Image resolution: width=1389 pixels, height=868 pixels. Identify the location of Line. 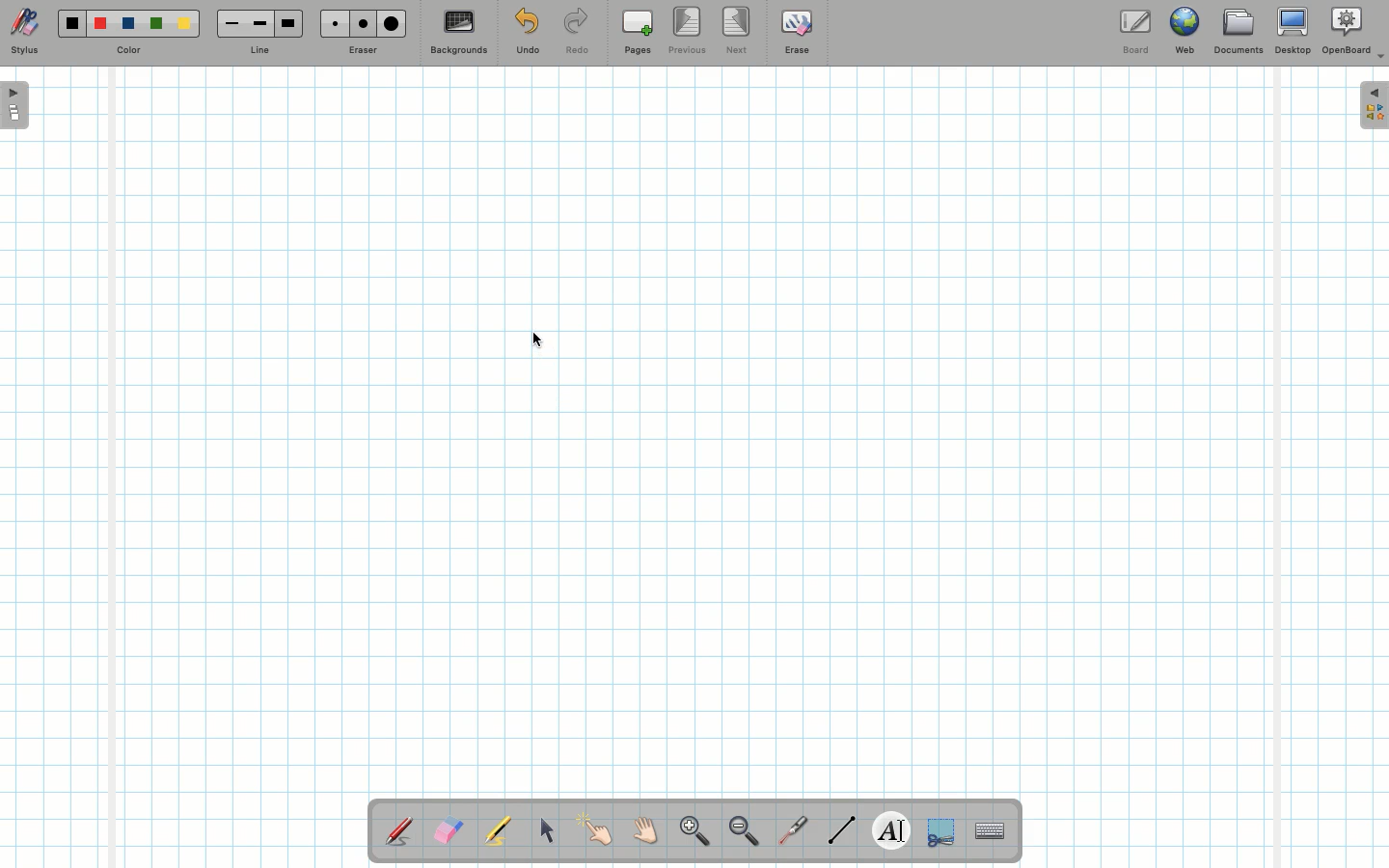
(259, 51).